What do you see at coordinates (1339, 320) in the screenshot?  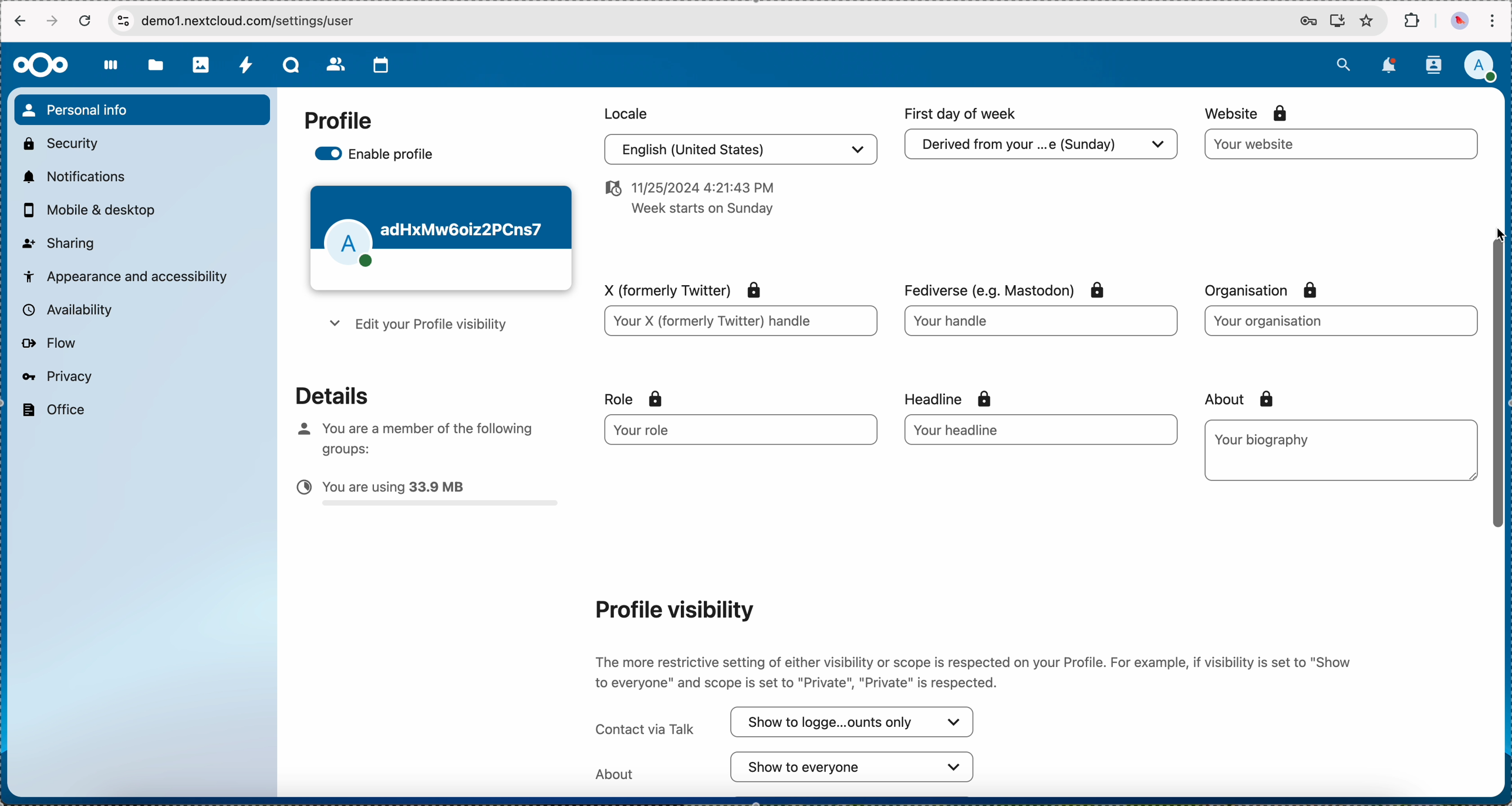 I see `organisation` at bounding box center [1339, 320].